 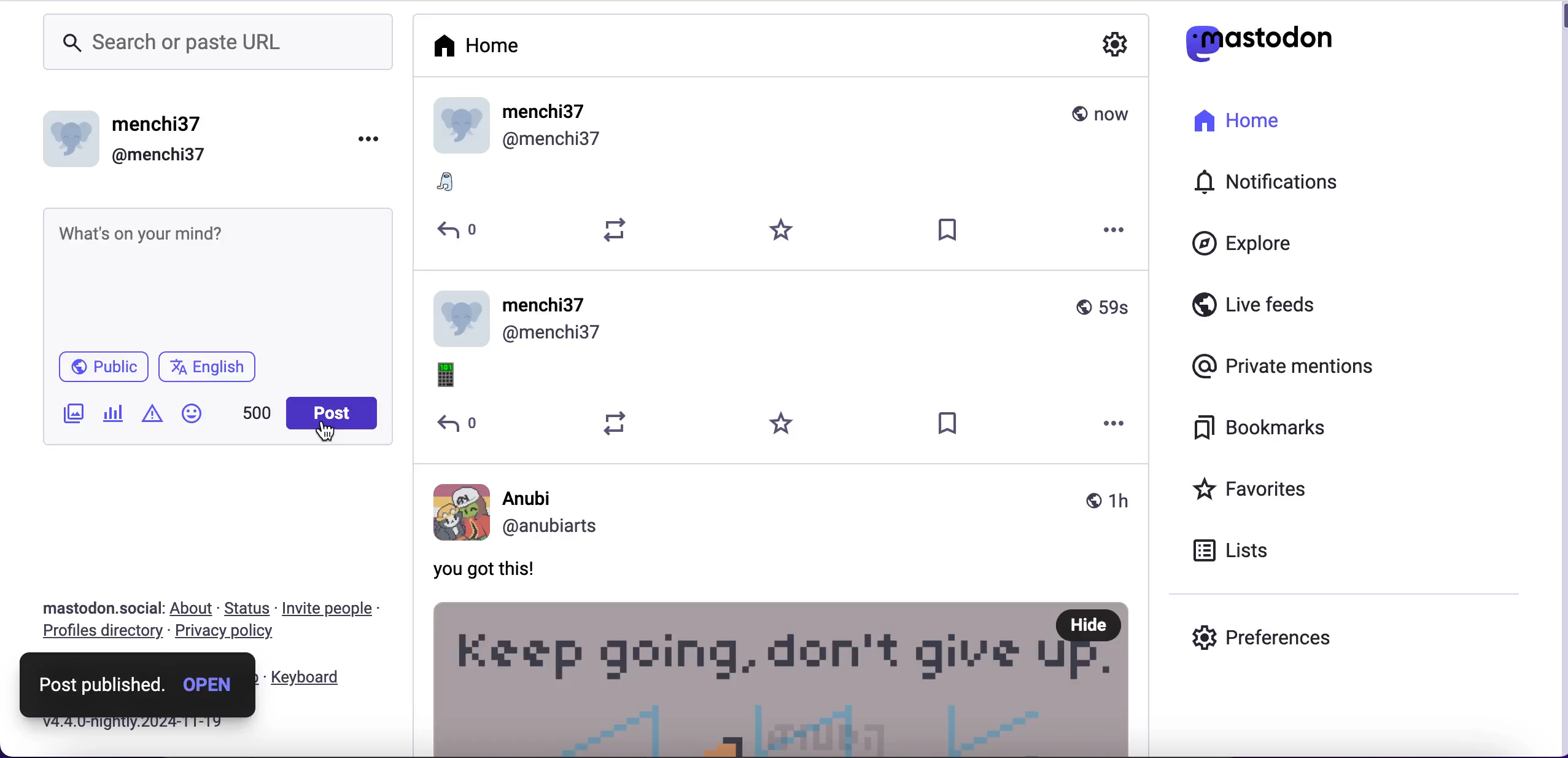 I want to click on retweet, so click(x=616, y=423).